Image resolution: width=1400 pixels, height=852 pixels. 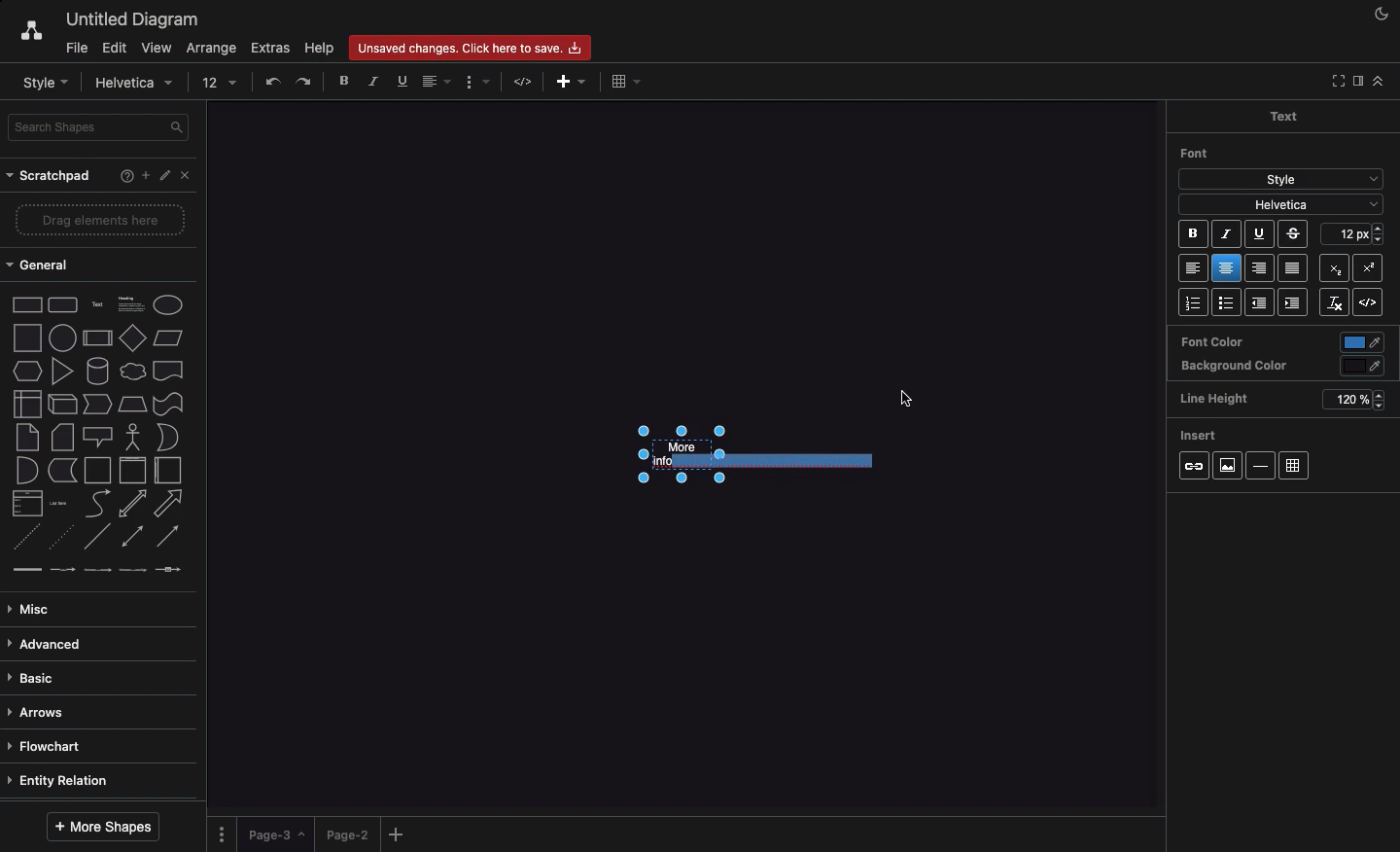 What do you see at coordinates (168, 305) in the screenshot?
I see `Ellipse` at bounding box center [168, 305].